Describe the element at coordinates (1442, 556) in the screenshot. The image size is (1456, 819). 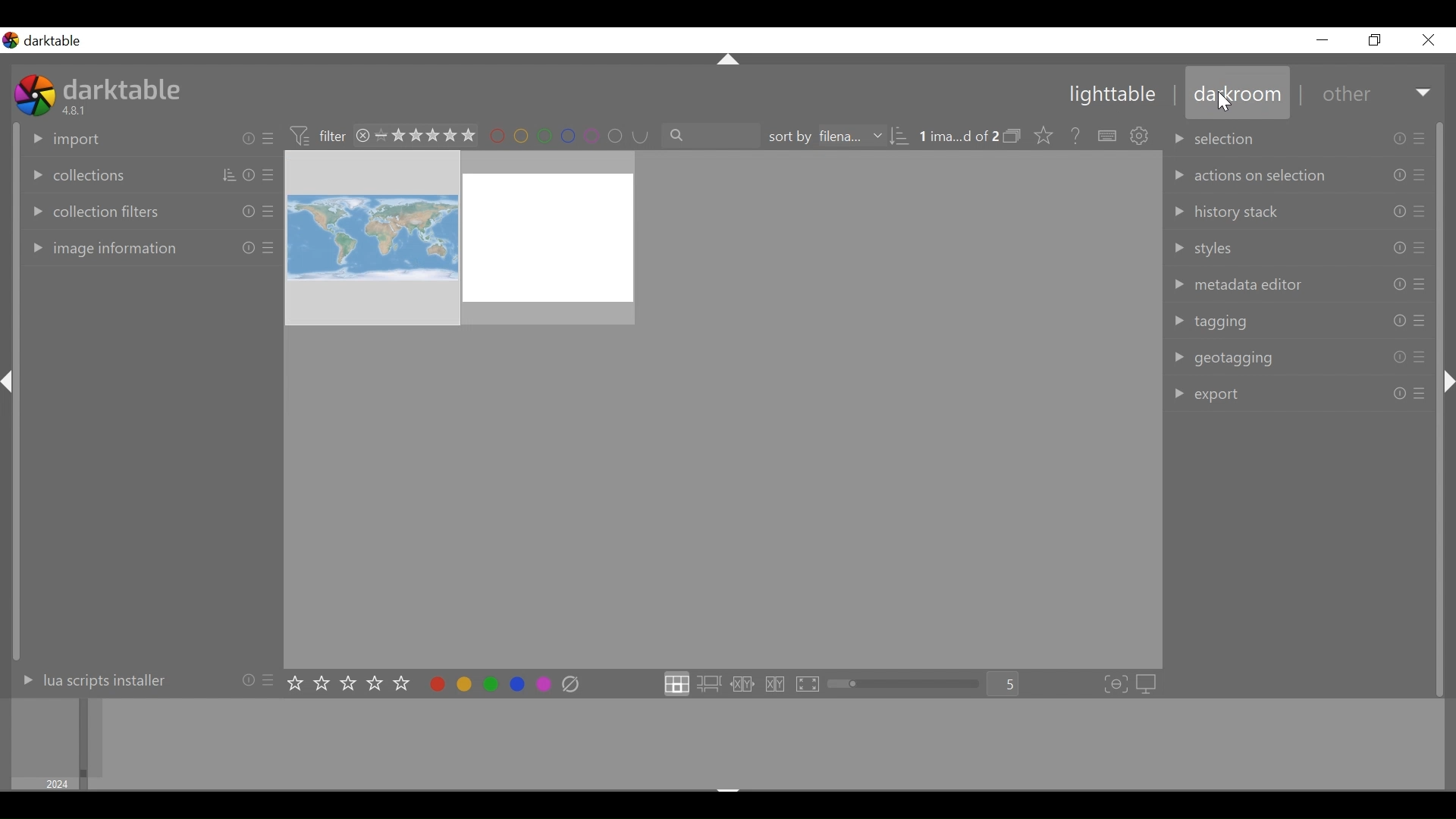
I see `vertical scroll bar` at that location.